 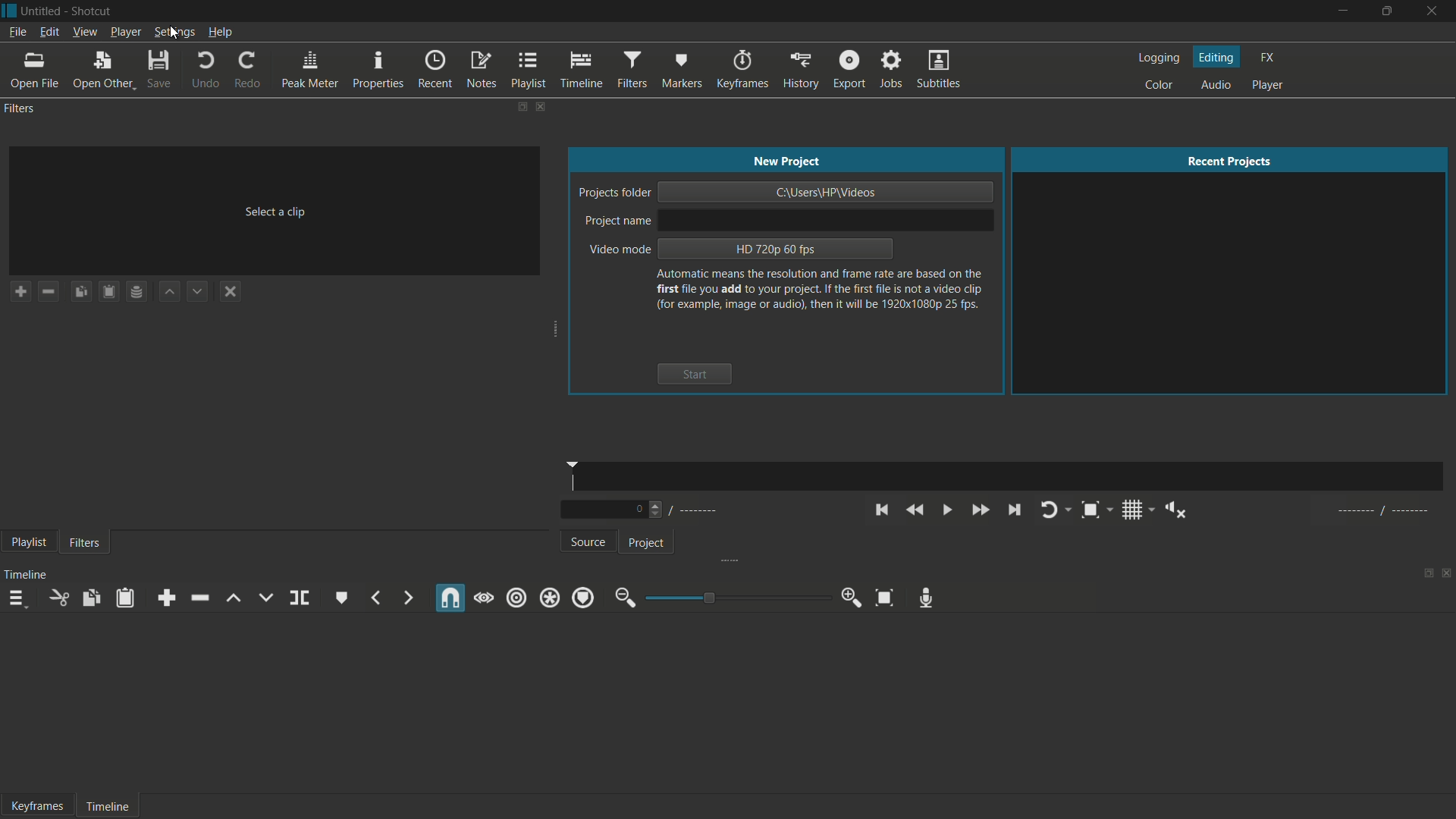 I want to click on open other, so click(x=107, y=71).